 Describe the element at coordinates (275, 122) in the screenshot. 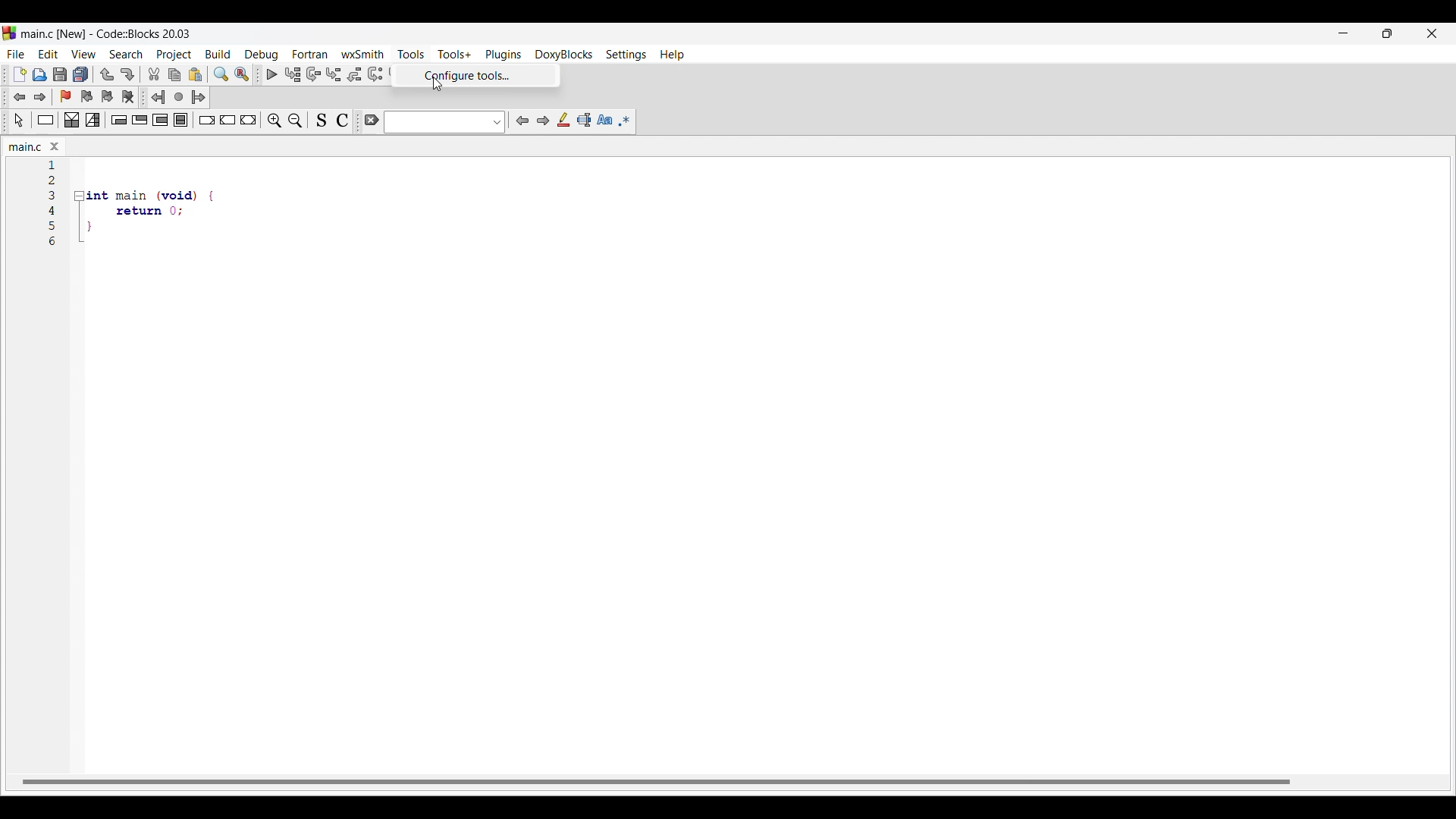

I see `Zoom in` at that location.